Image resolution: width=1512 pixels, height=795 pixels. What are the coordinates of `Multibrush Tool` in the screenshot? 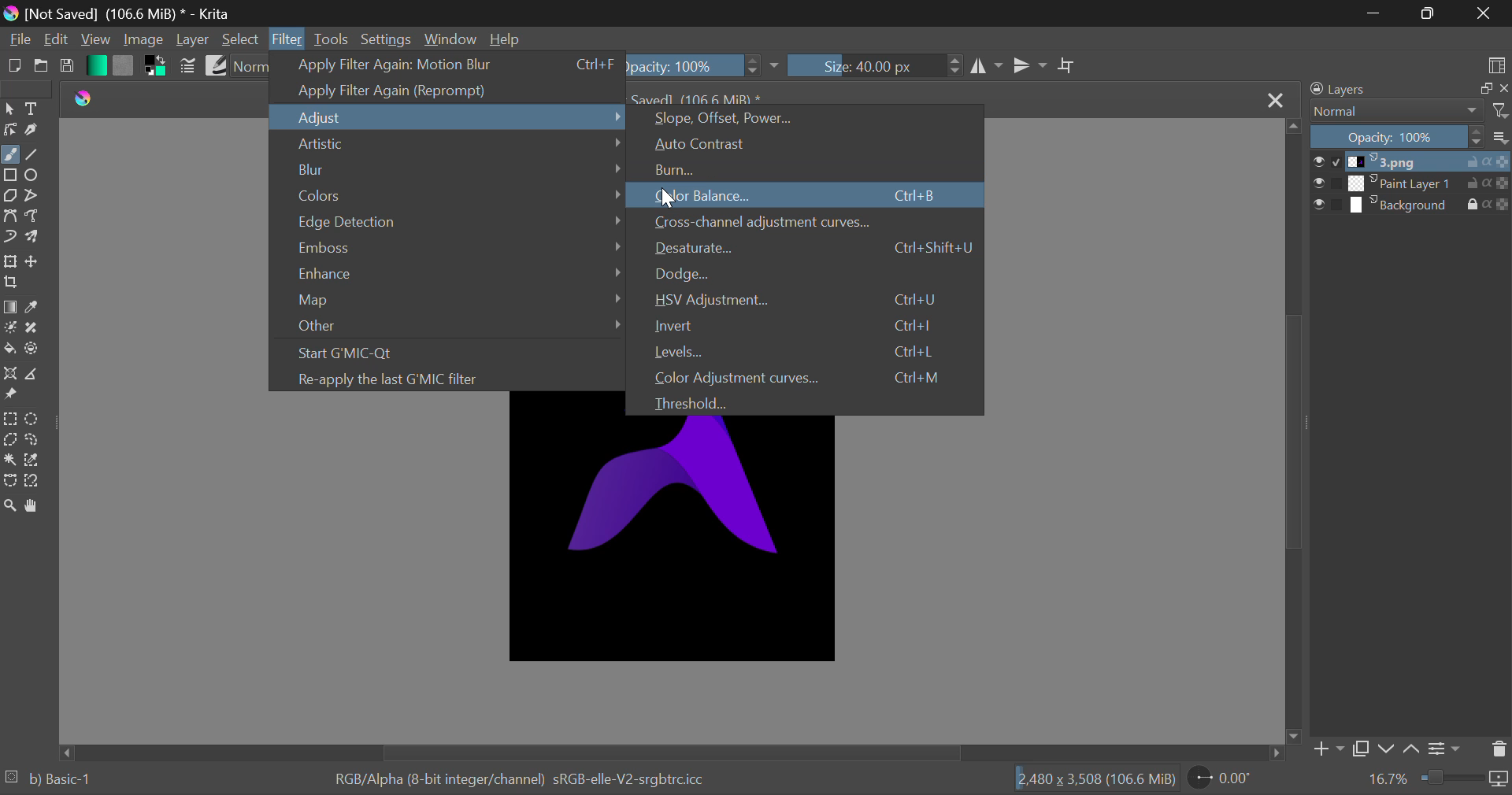 It's located at (38, 238).